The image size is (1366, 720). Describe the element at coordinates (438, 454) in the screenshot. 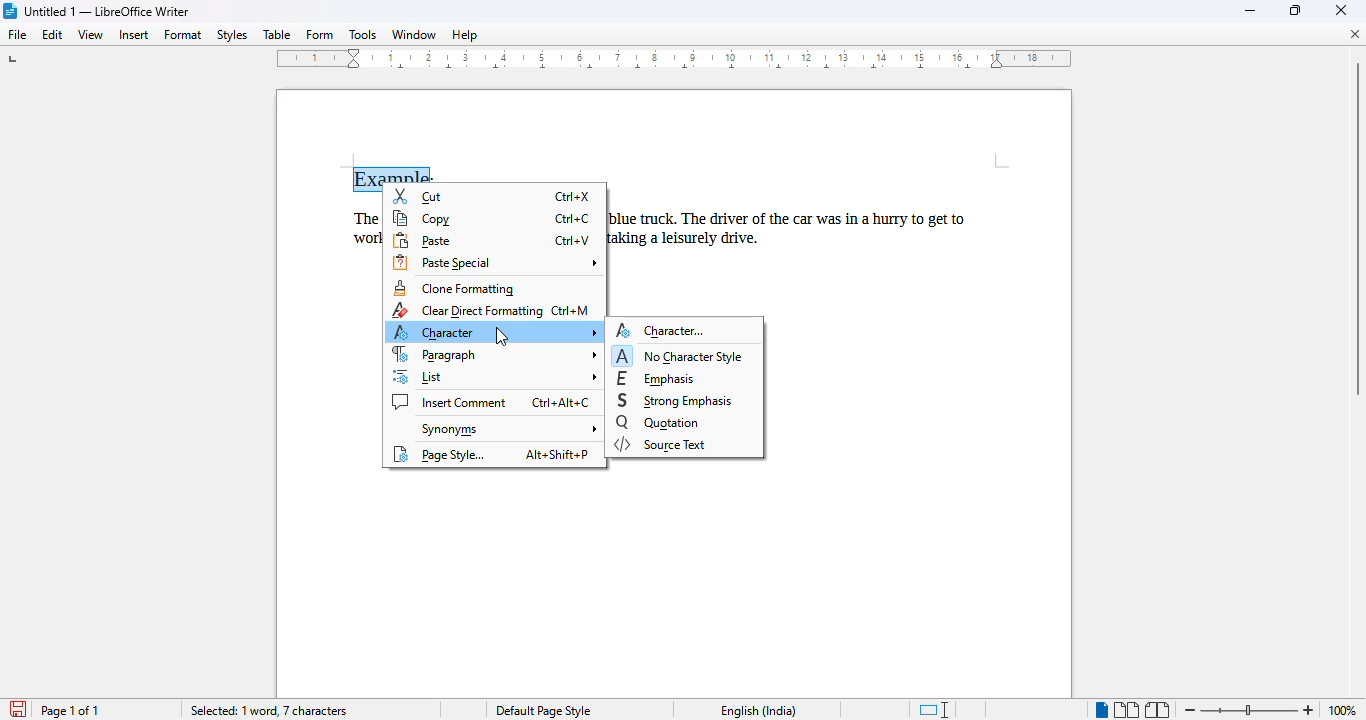

I see `page style` at that location.